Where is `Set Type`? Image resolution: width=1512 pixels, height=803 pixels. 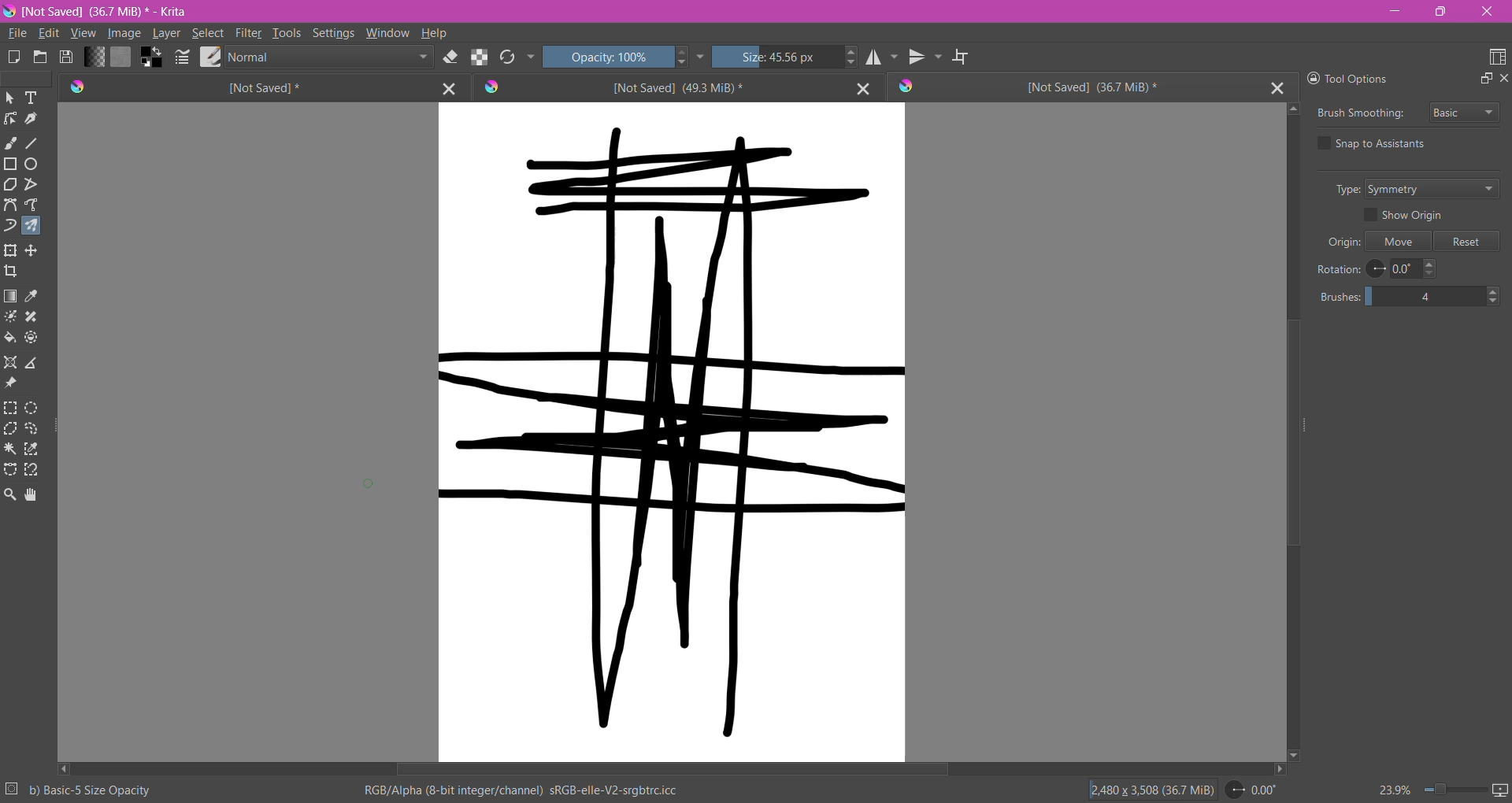 Set Type is located at coordinates (1440, 190).